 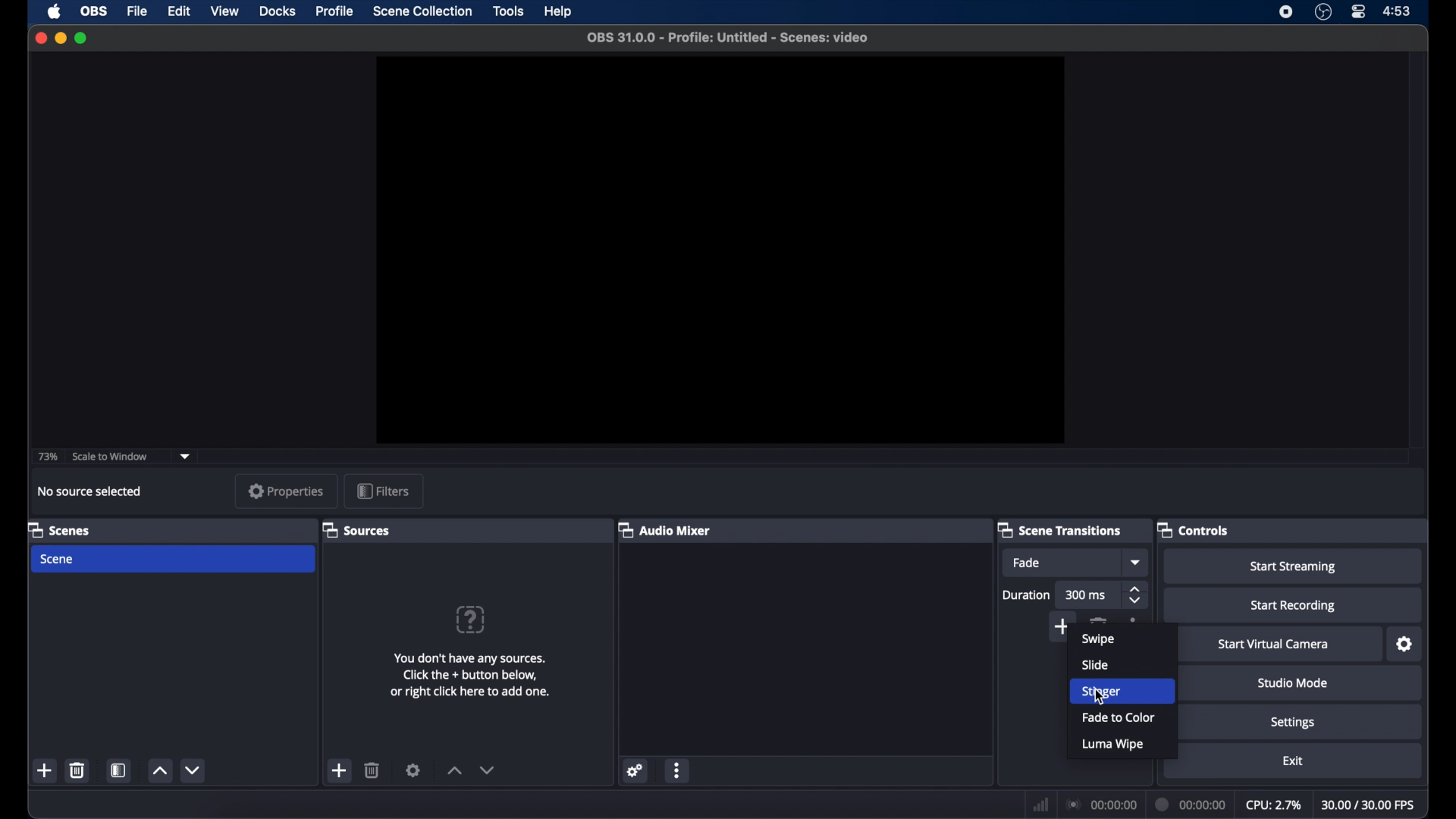 I want to click on increment, so click(x=159, y=772).